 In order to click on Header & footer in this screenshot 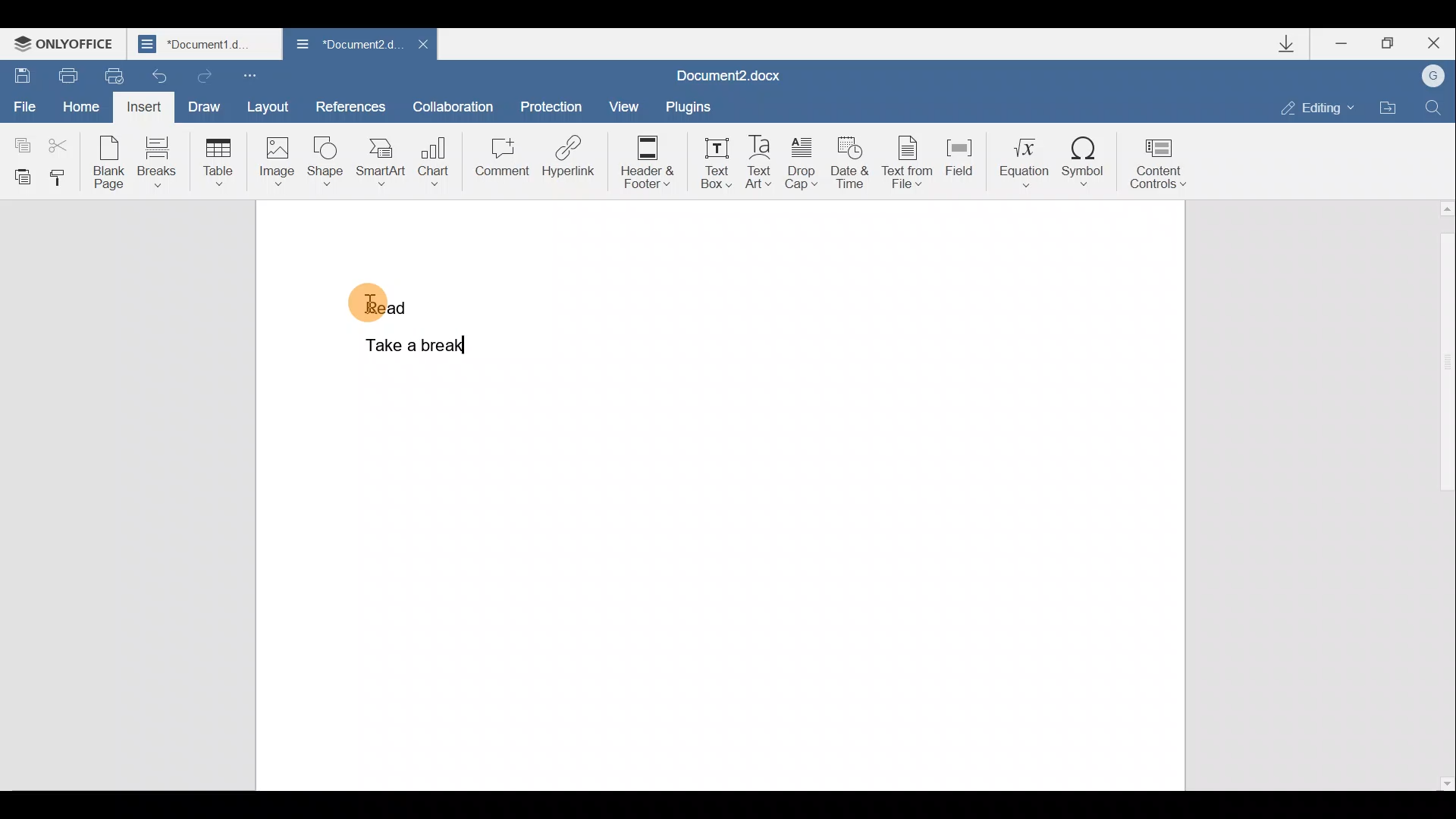, I will do `click(652, 162)`.